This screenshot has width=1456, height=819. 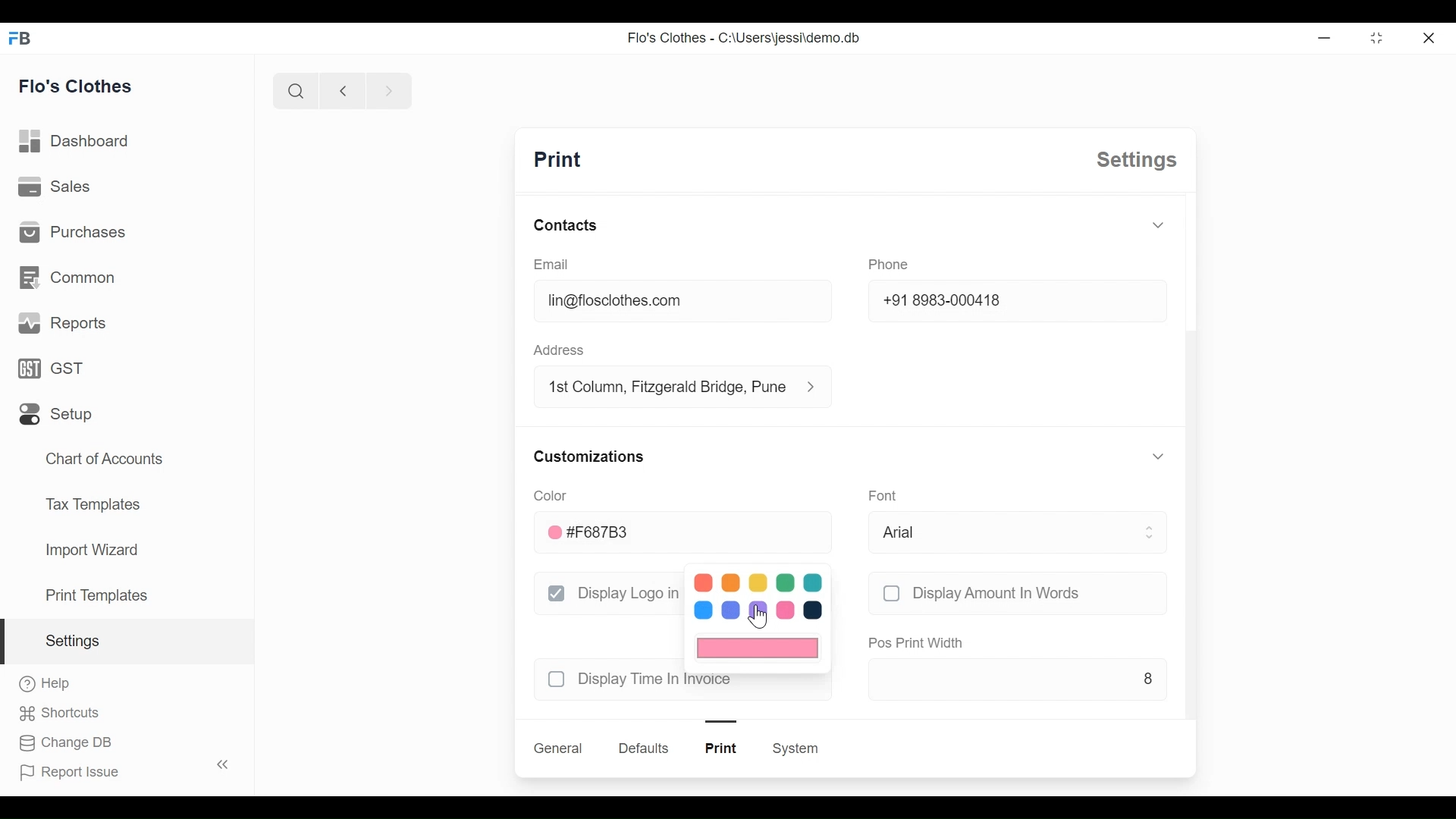 What do you see at coordinates (553, 264) in the screenshot?
I see `email` at bounding box center [553, 264].